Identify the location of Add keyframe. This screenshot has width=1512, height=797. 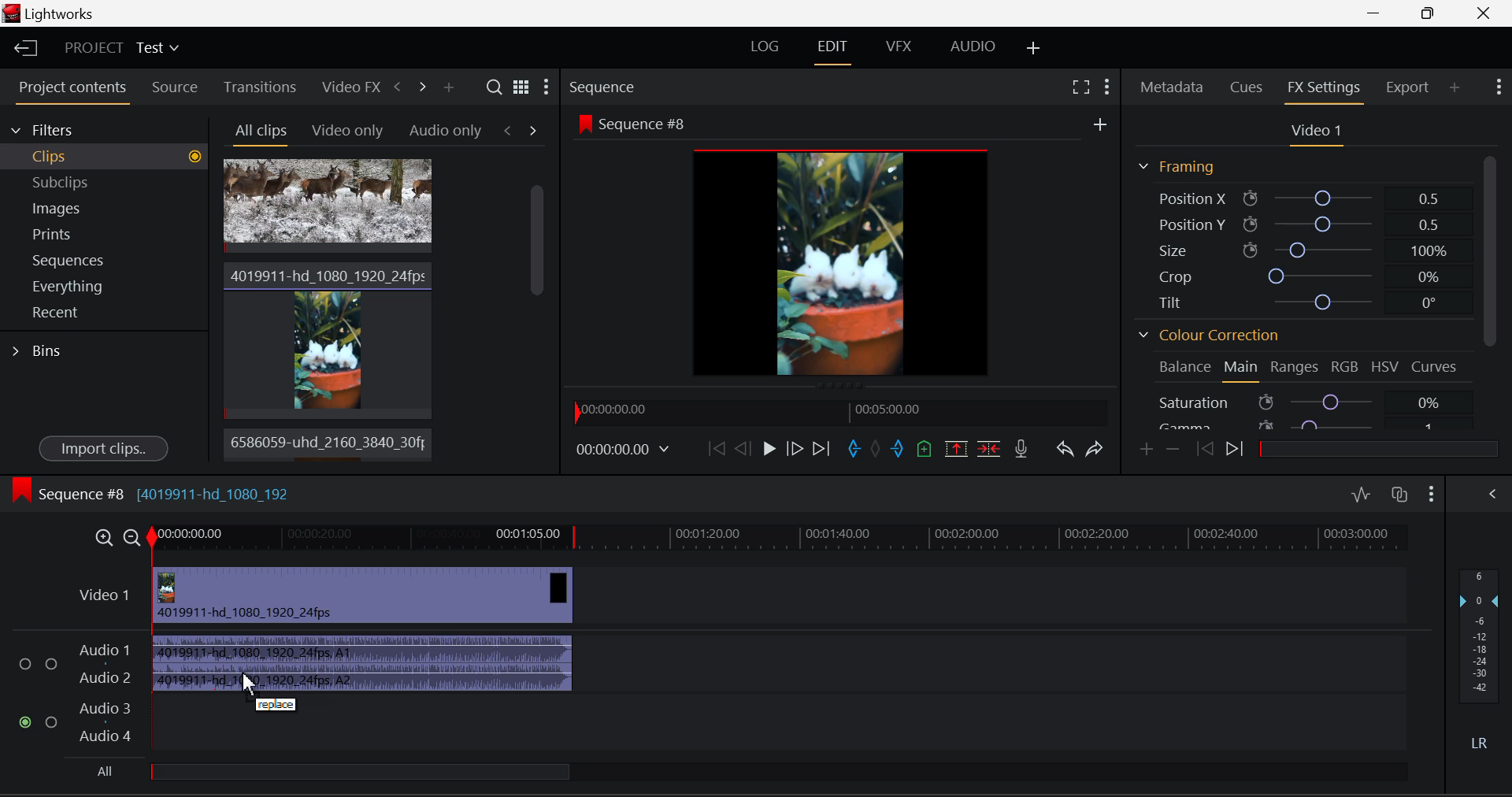
(1147, 450).